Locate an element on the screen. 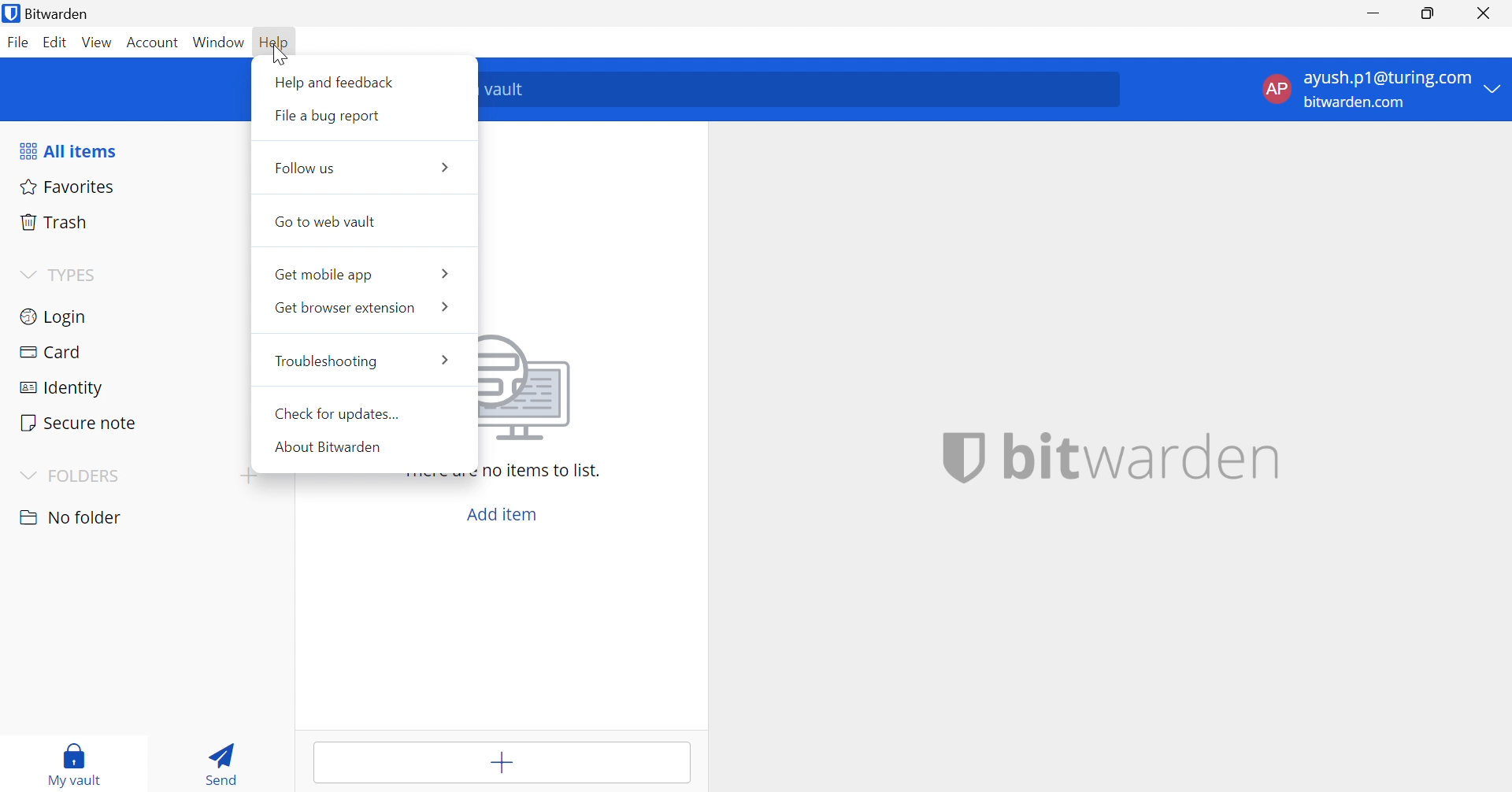  Add item is located at coordinates (504, 515).